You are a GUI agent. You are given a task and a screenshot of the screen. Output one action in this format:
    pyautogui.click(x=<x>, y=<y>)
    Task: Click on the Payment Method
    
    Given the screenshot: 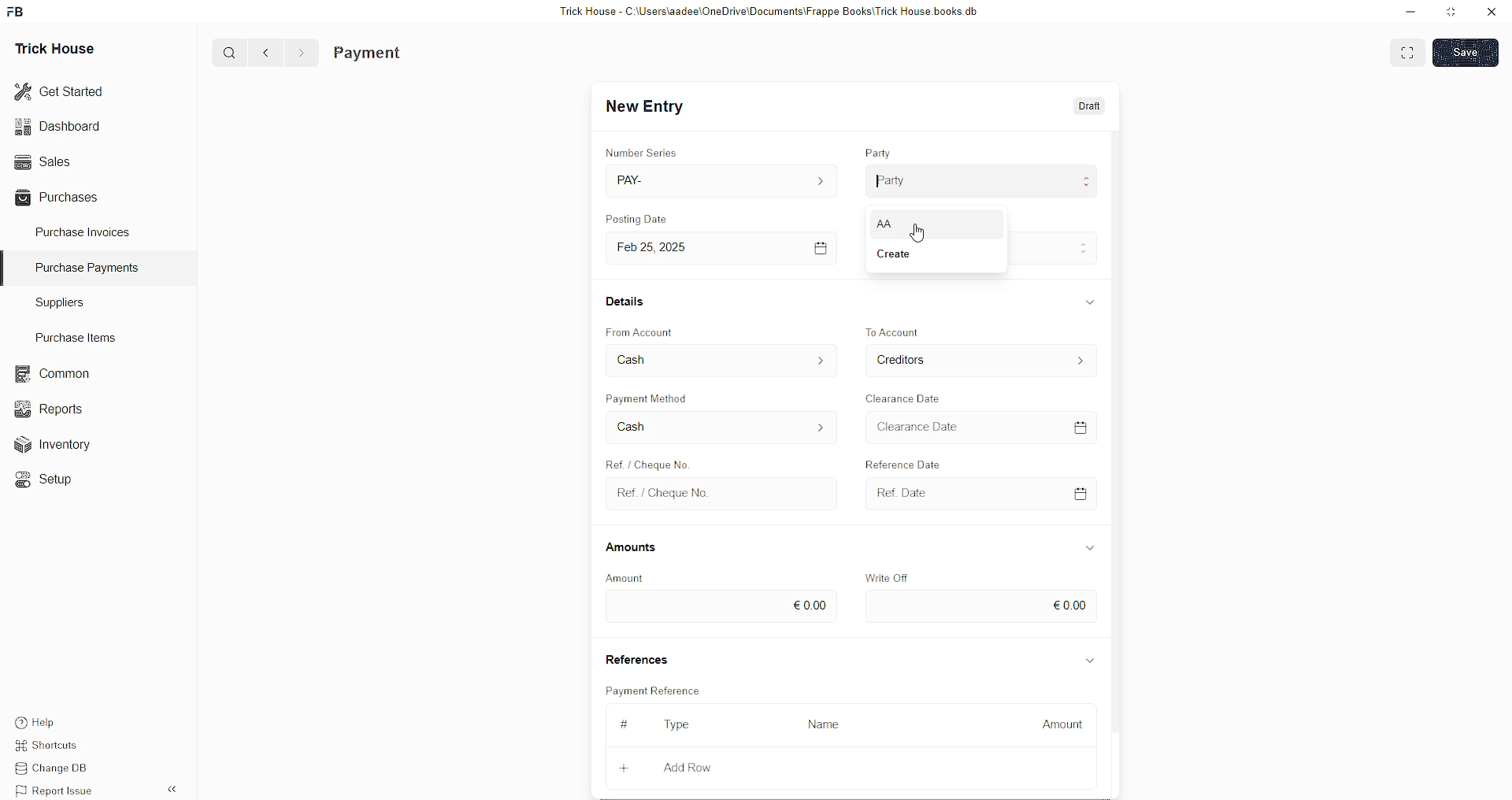 What is the action you would take?
    pyautogui.click(x=655, y=397)
    